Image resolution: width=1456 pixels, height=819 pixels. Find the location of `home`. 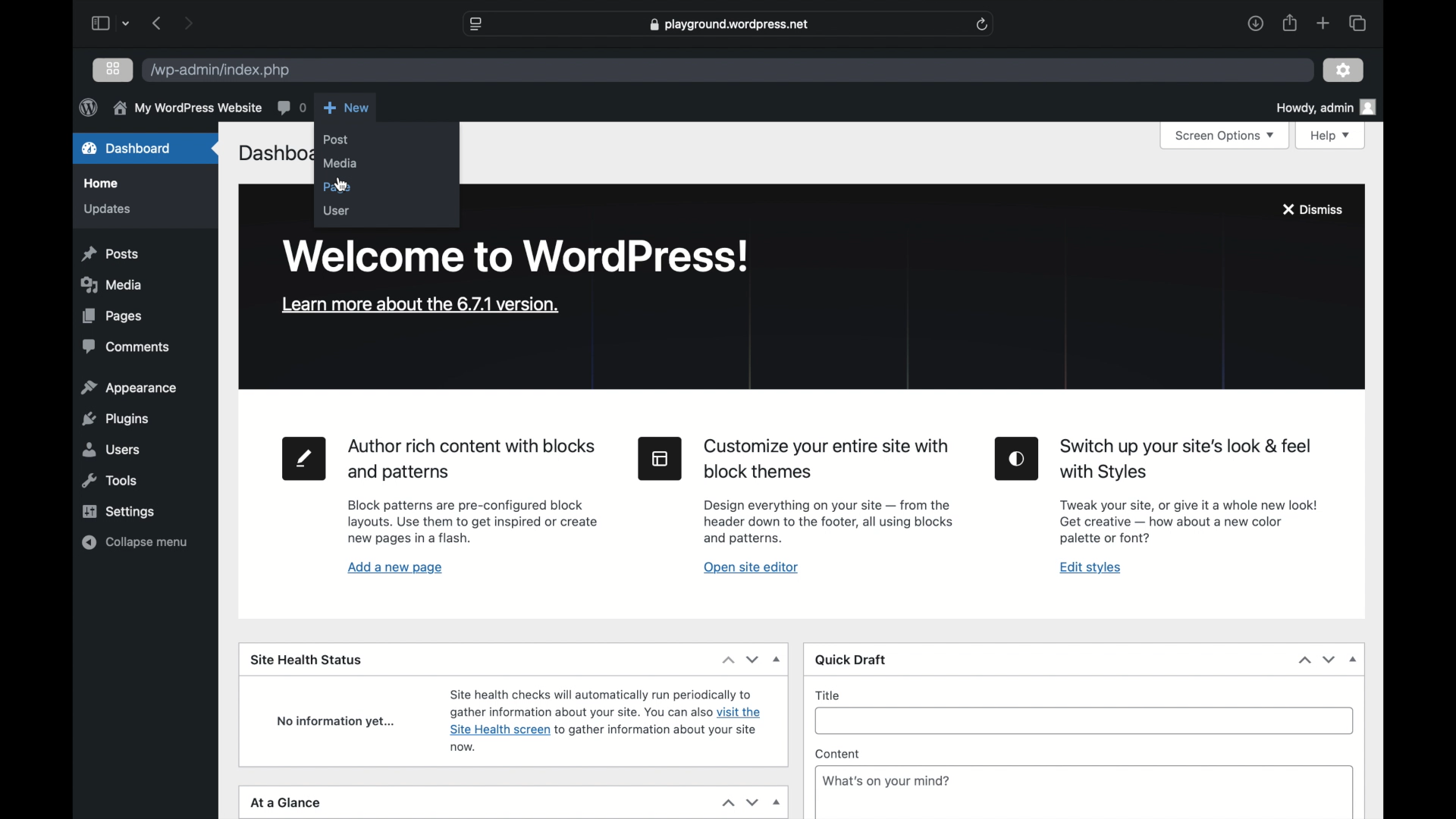

home is located at coordinates (103, 184).